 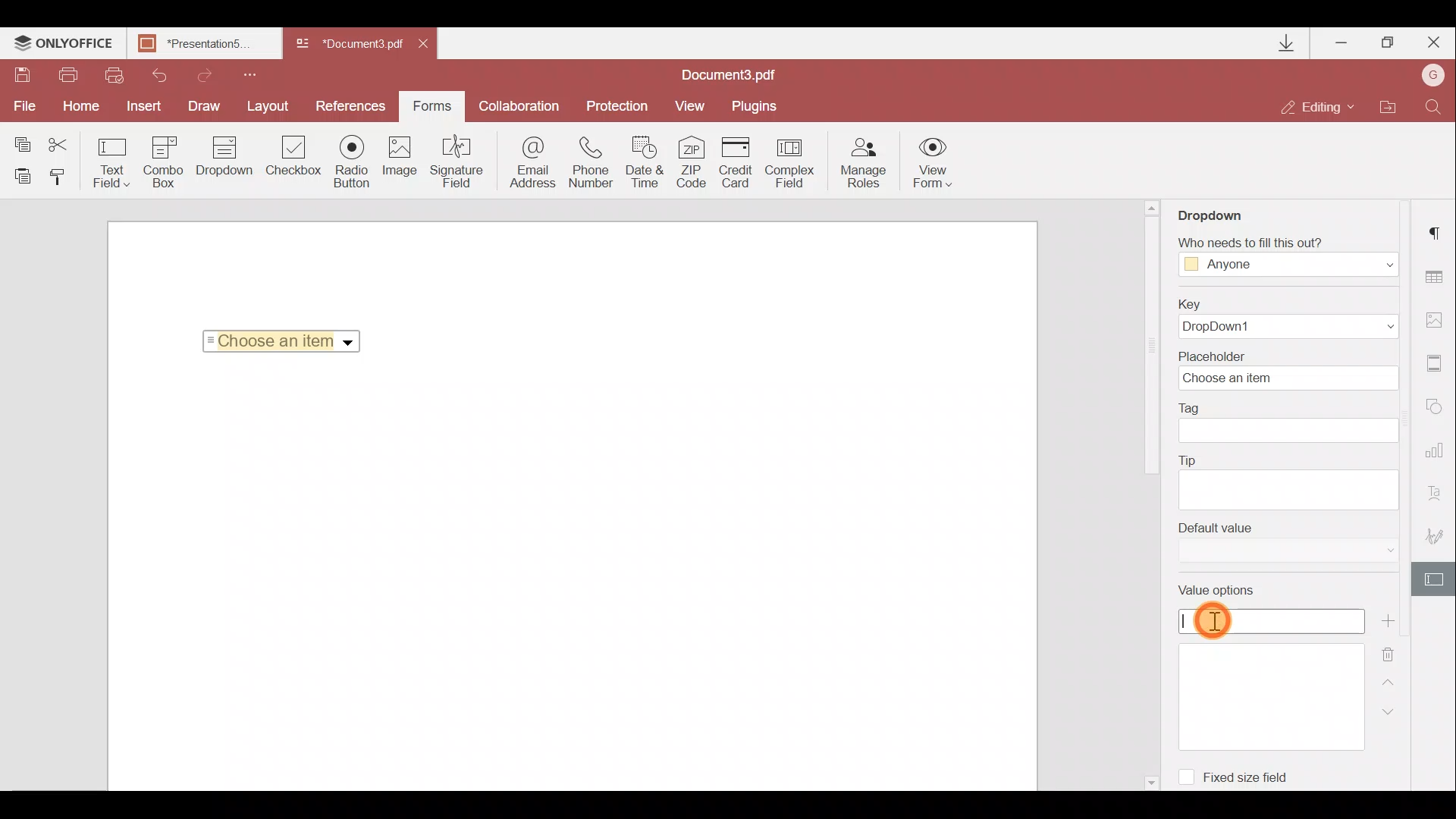 What do you see at coordinates (690, 105) in the screenshot?
I see `View` at bounding box center [690, 105].